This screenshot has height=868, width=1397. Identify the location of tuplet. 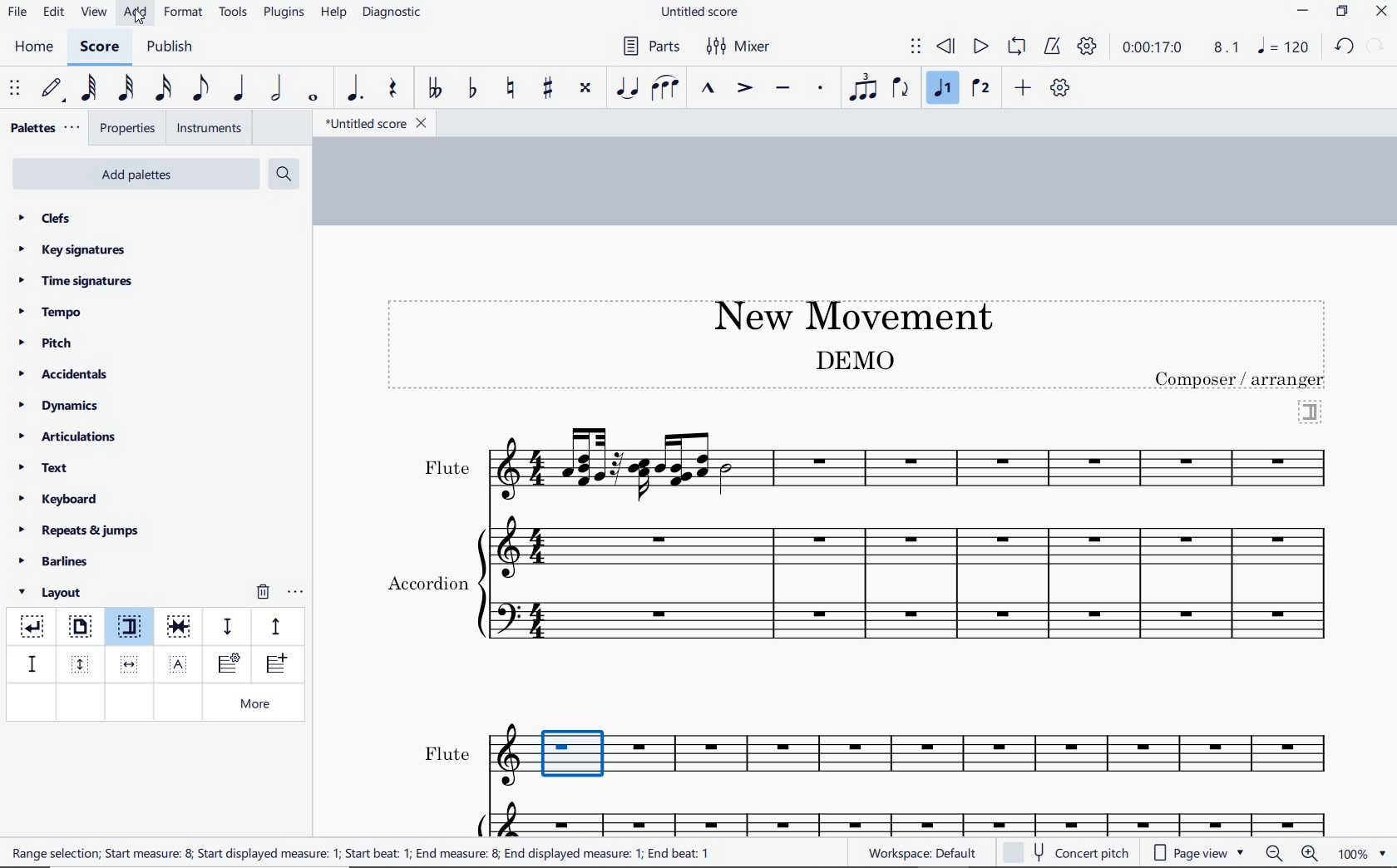
(860, 87).